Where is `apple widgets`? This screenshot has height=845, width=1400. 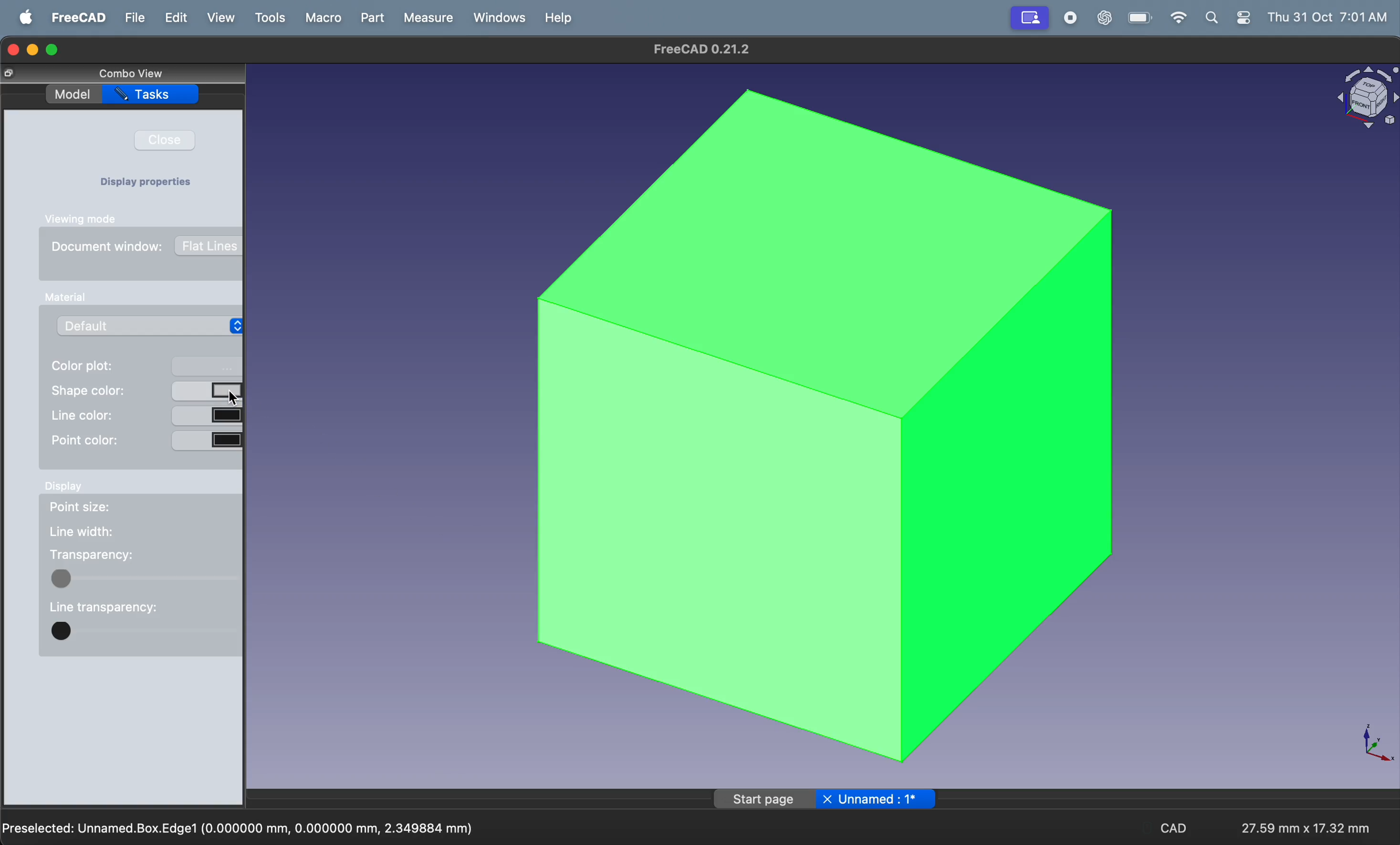 apple widgets is located at coordinates (1229, 18).